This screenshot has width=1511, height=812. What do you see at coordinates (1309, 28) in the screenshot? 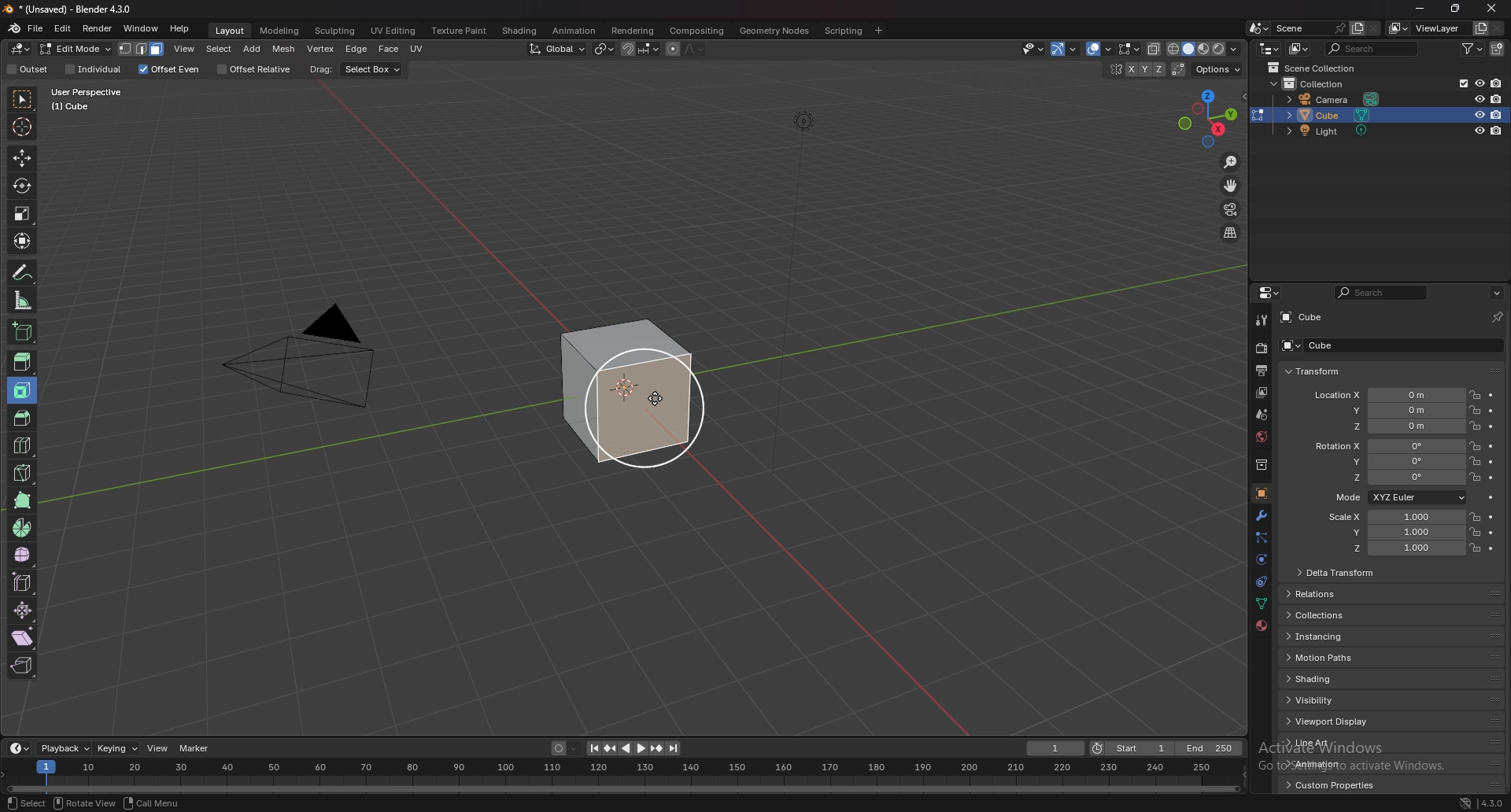
I see `scene` at bounding box center [1309, 28].